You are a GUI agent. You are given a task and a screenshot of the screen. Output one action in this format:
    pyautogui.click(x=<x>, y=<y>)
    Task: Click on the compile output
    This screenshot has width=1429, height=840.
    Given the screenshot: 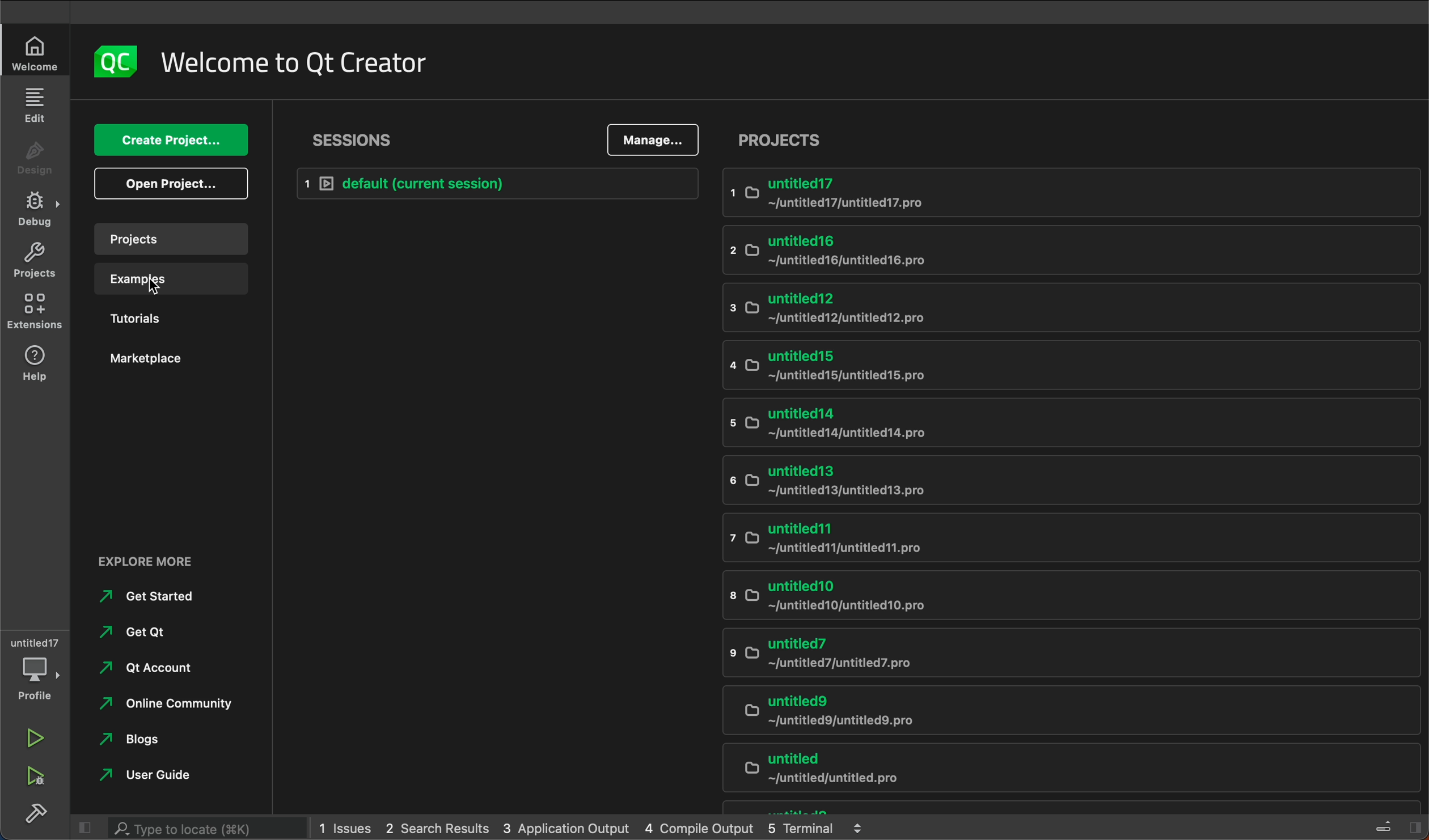 What is the action you would take?
    pyautogui.click(x=704, y=827)
    